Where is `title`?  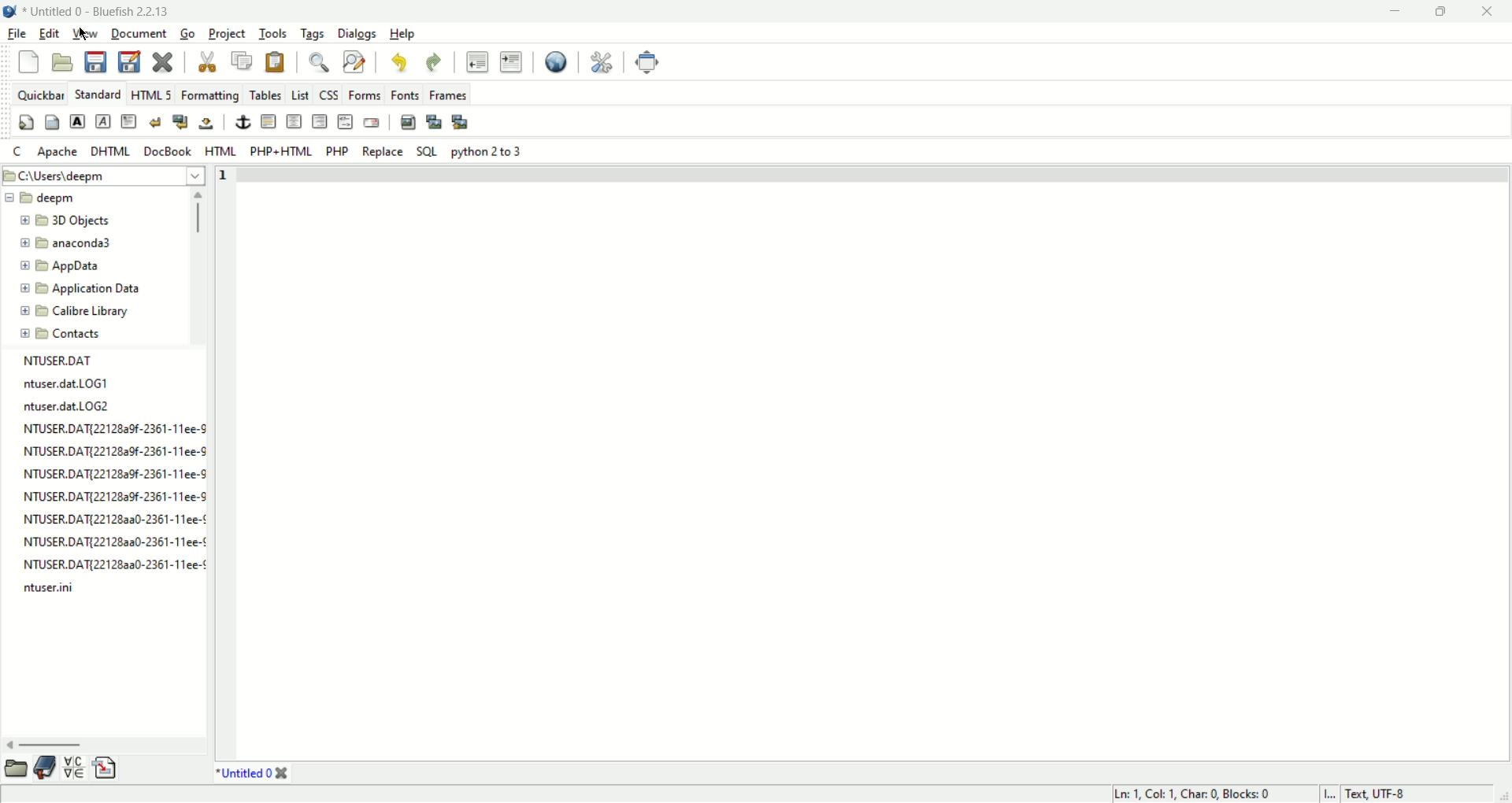 title is located at coordinates (97, 13).